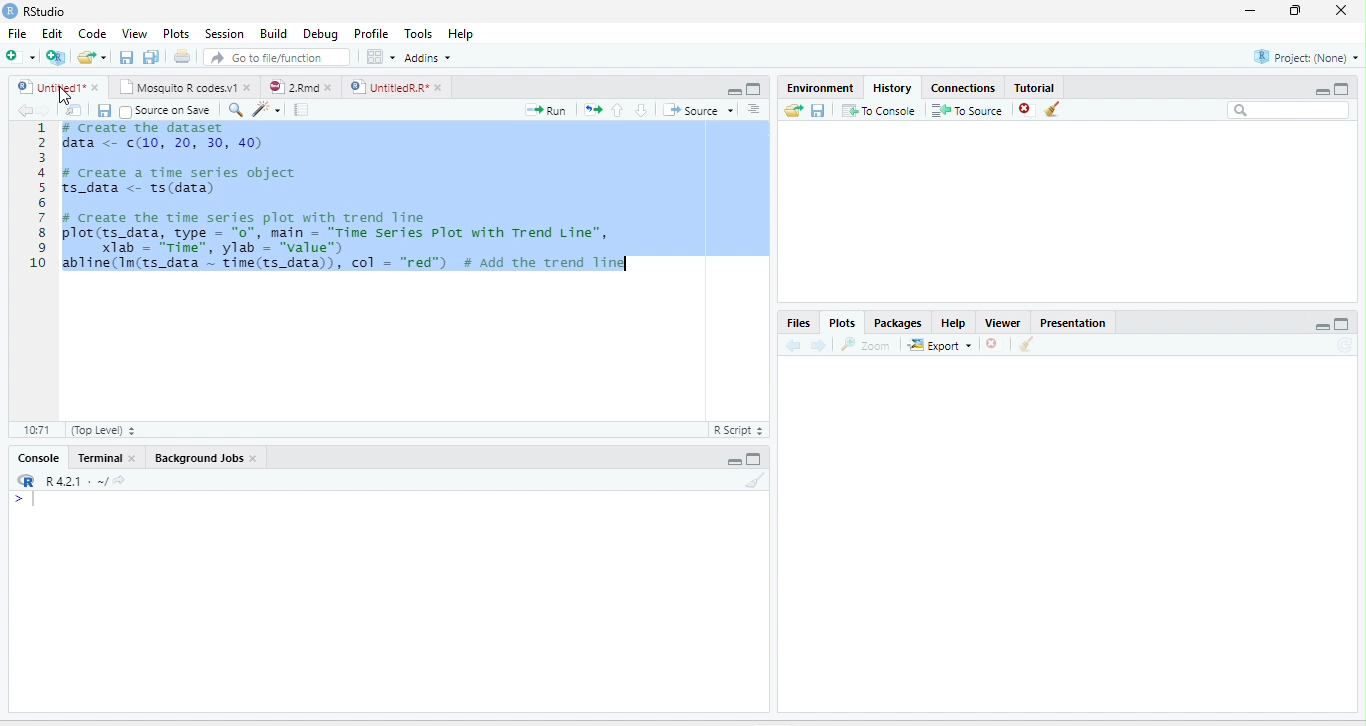 This screenshot has height=726, width=1366. I want to click on close, so click(329, 87).